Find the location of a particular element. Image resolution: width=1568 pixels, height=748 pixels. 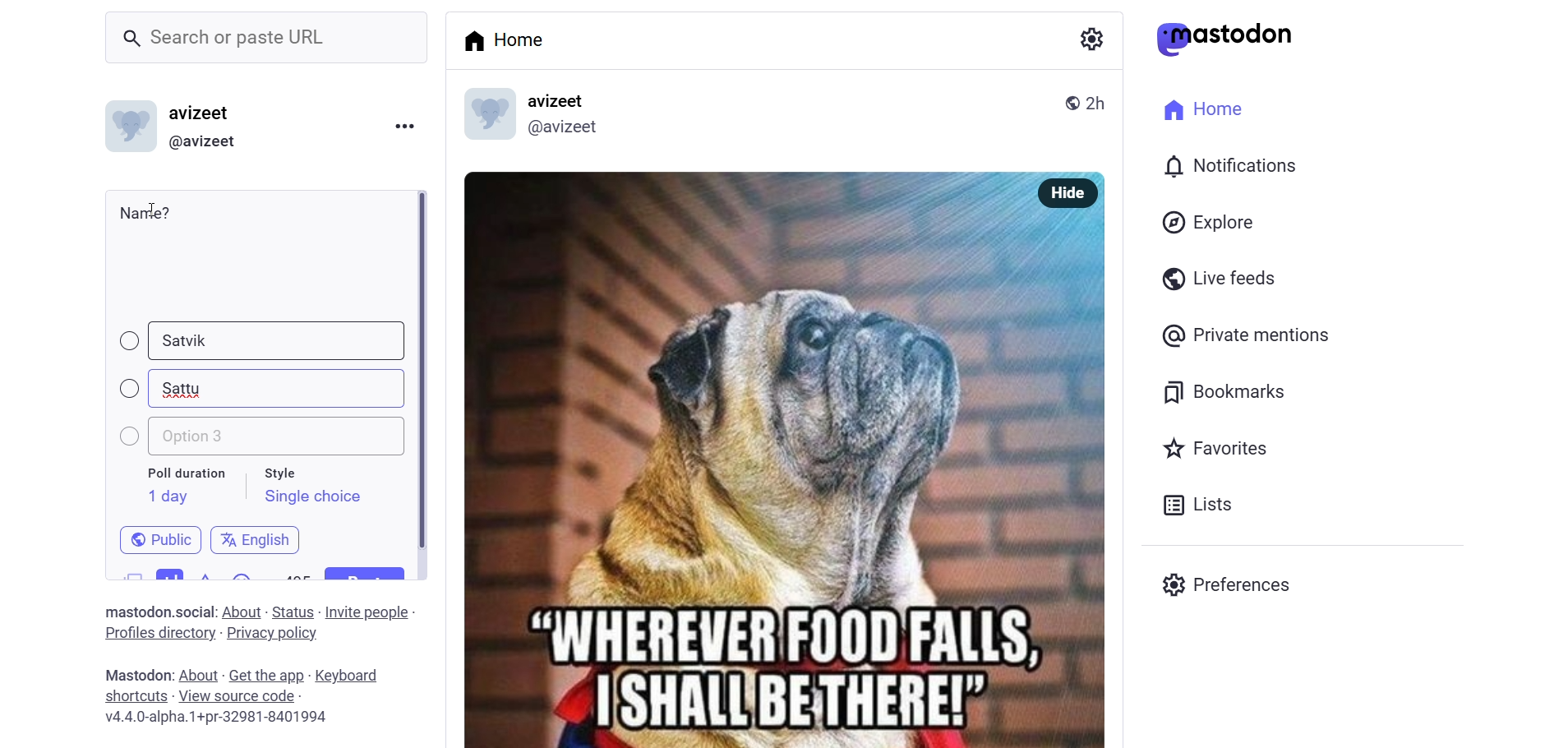

mastodon is located at coordinates (134, 674).